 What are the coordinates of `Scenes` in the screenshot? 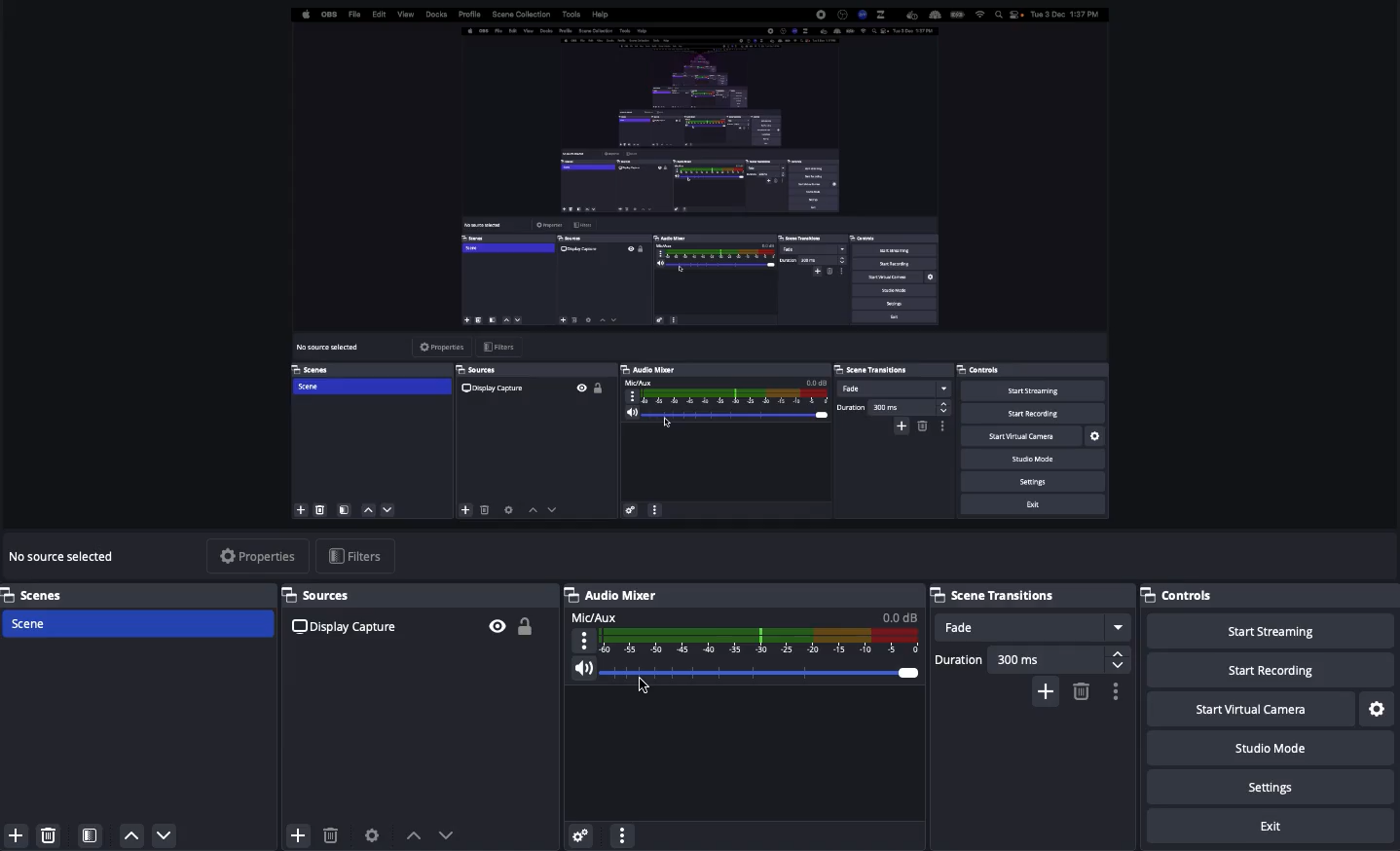 It's located at (138, 594).